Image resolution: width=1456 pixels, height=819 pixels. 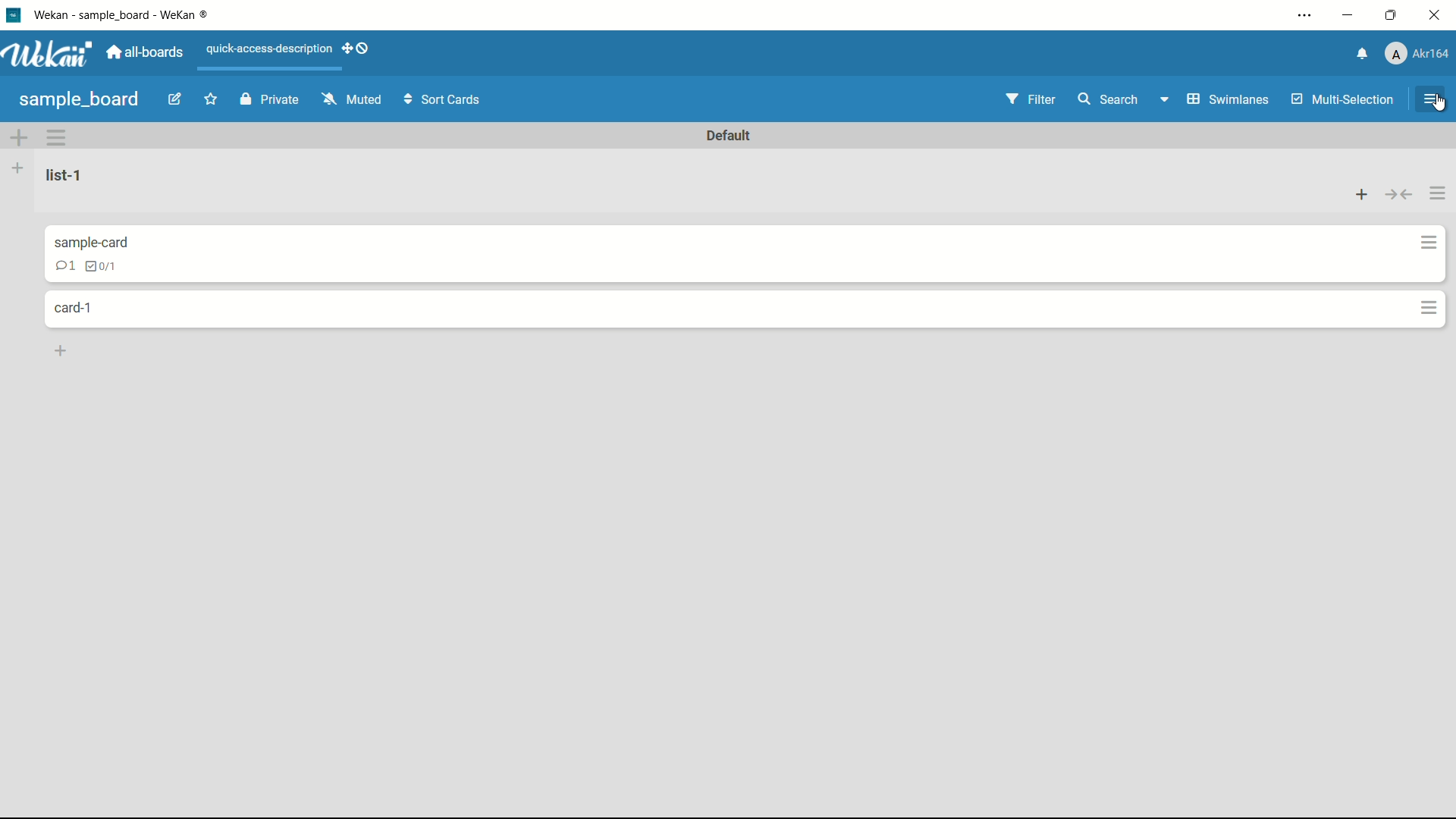 What do you see at coordinates (1034, 103) in the screenshot?
I see `filter` at bounding box center [1034, 103].